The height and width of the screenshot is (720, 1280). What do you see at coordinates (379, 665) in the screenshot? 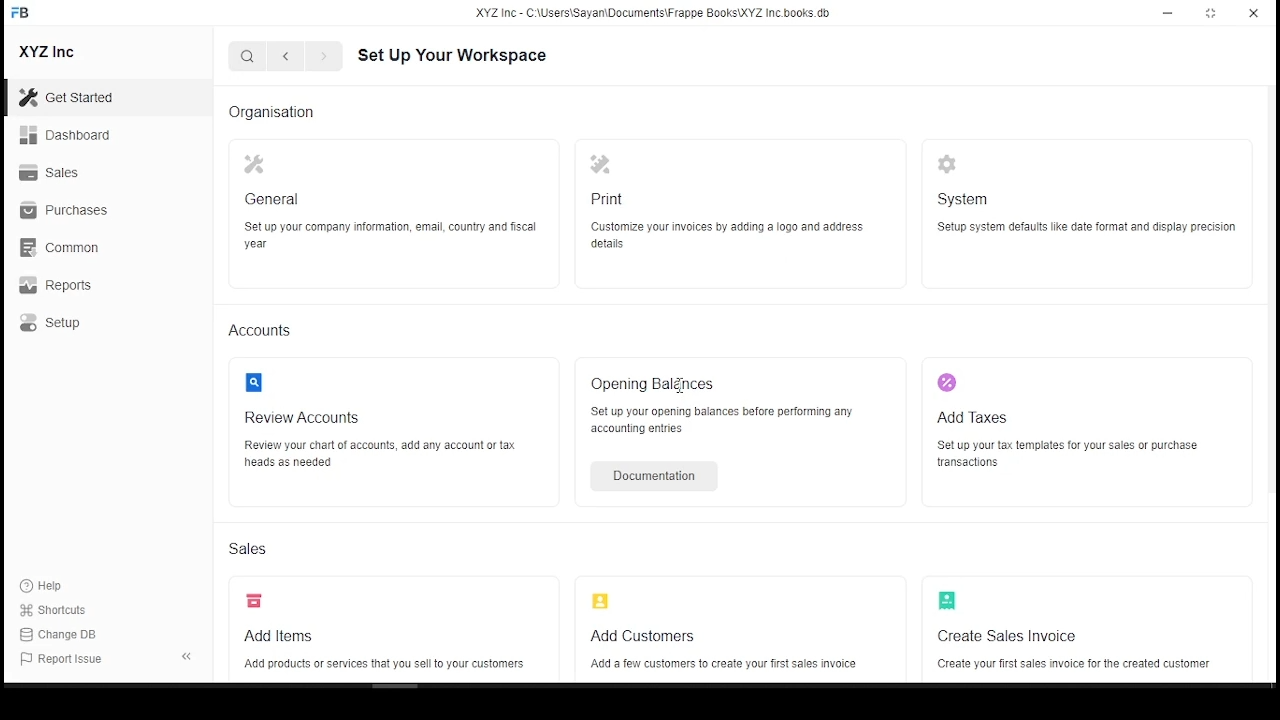
I see `add products or services that you sell to your customer` at bounding box center [379, 665].